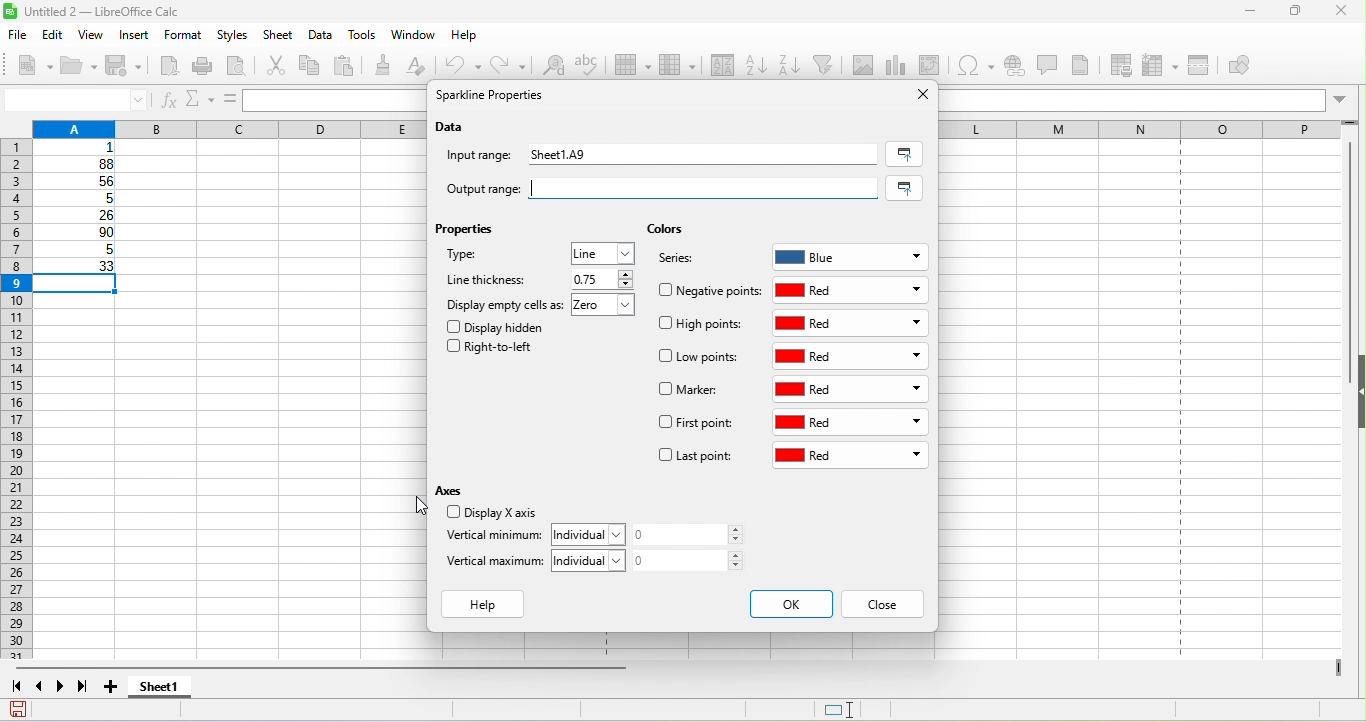  What do you see at coordinates (853, 290) in the screenshot?
I see `red` at bounding box center [853, 290].